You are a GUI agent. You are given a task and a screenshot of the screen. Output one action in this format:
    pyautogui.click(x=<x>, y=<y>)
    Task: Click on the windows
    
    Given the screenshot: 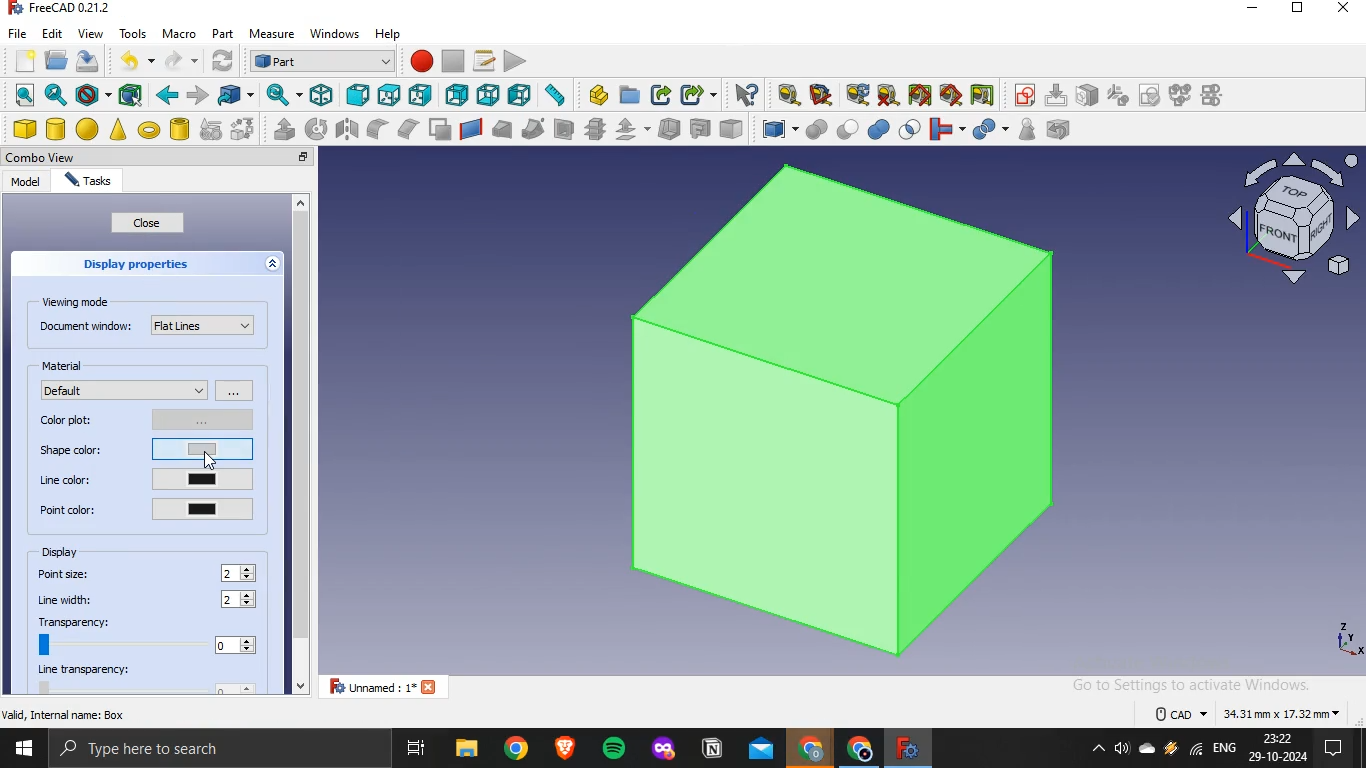 What is the action you would take?
    pyautogui.click(x=336, y=32)
    